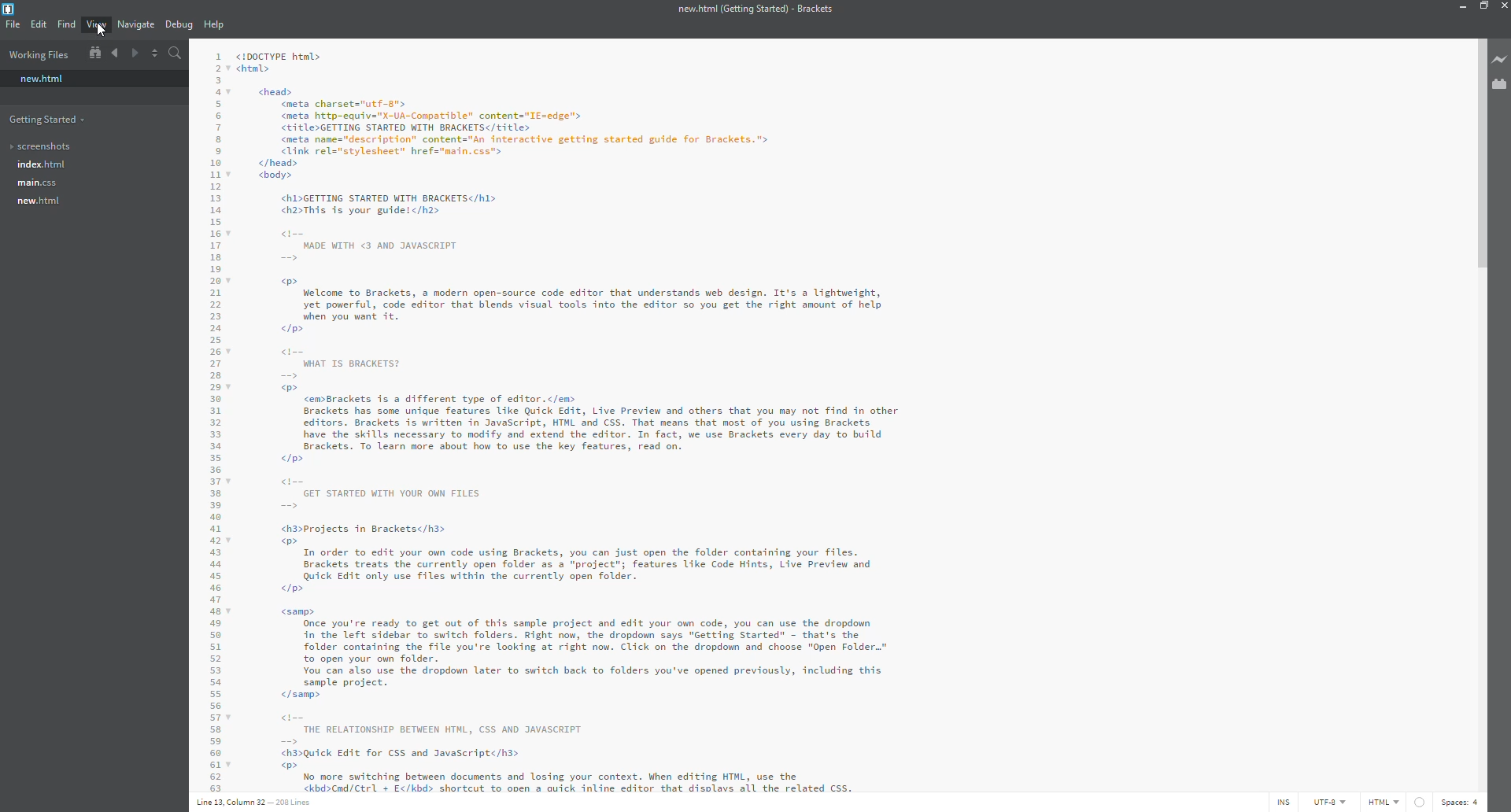  I want to click on edit, so click(38, 24).